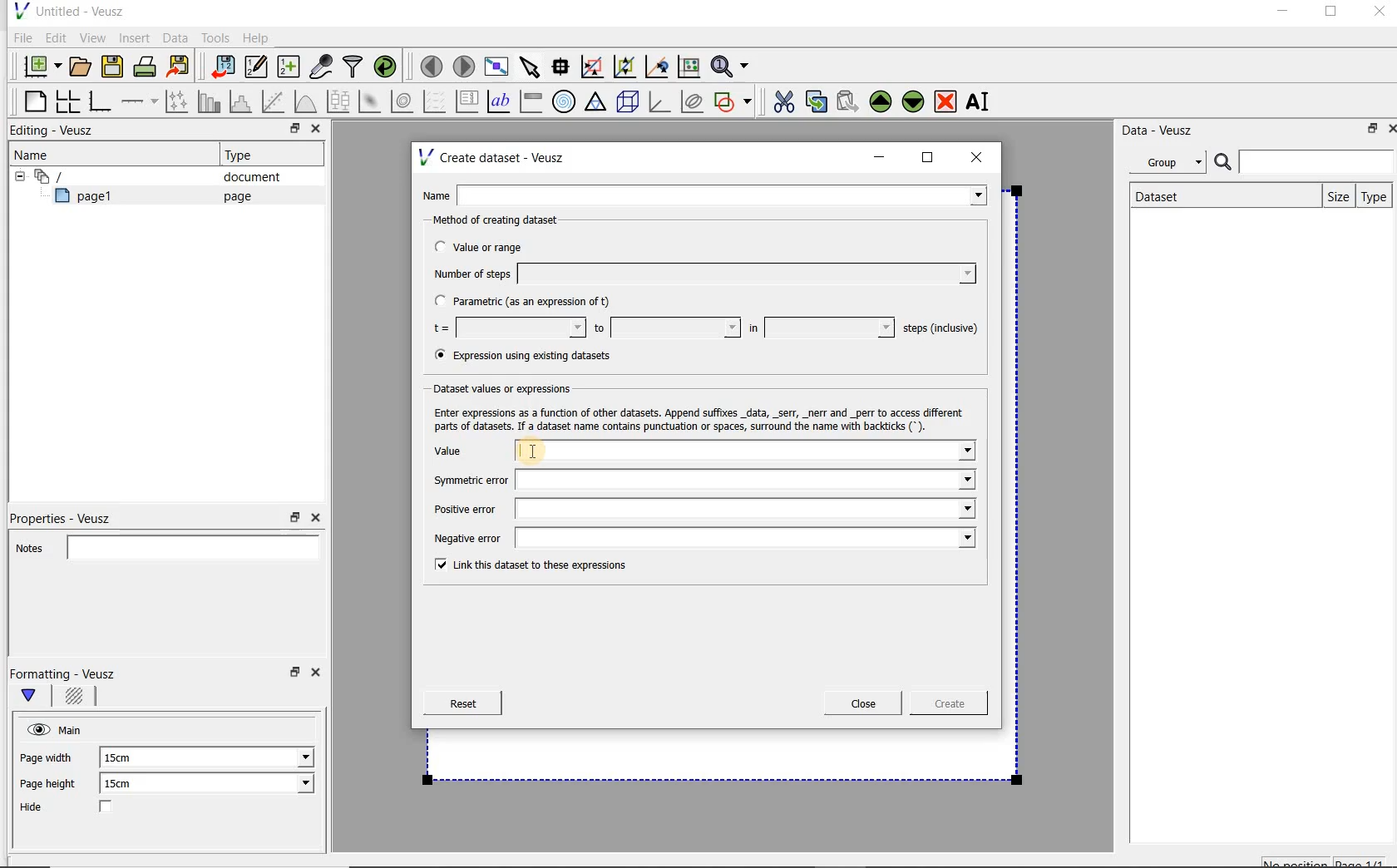 The width and height of the screenshot is (1397, 868). Describe the element at coordinates (82, 65) in the screenshot. I see `open a document` at that location.